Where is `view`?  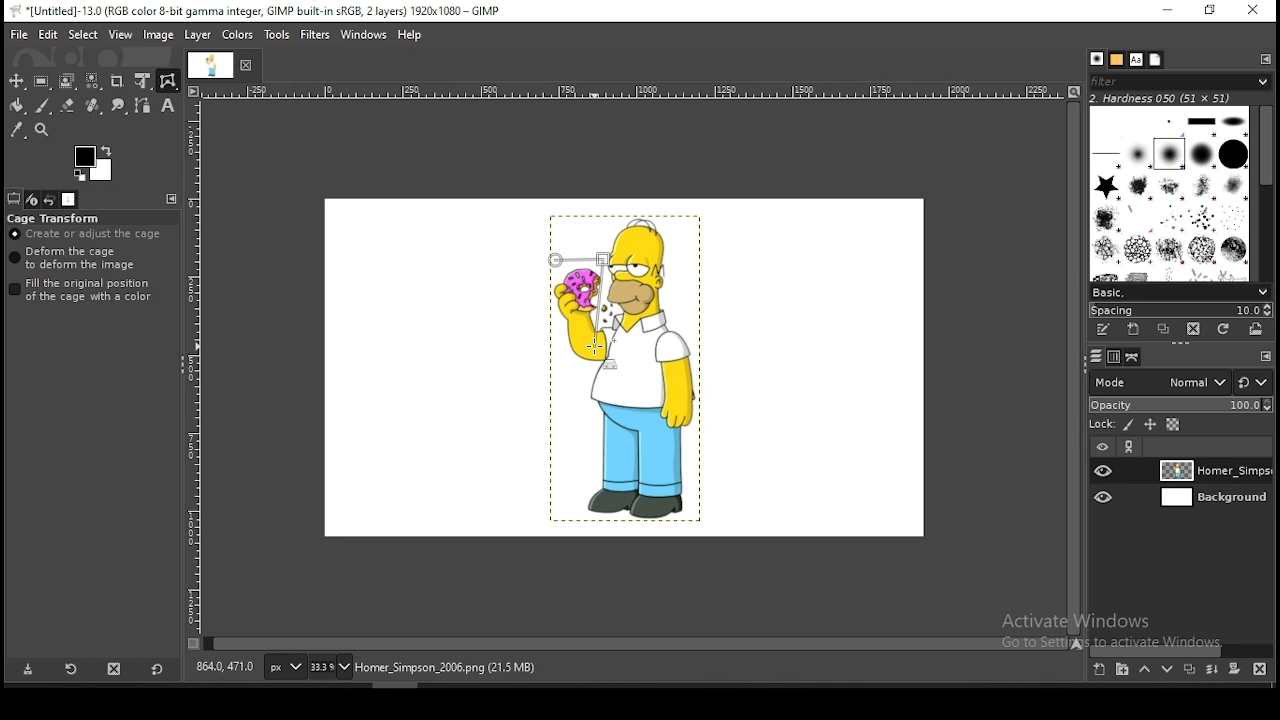
view is located at coordinates (121, 34).